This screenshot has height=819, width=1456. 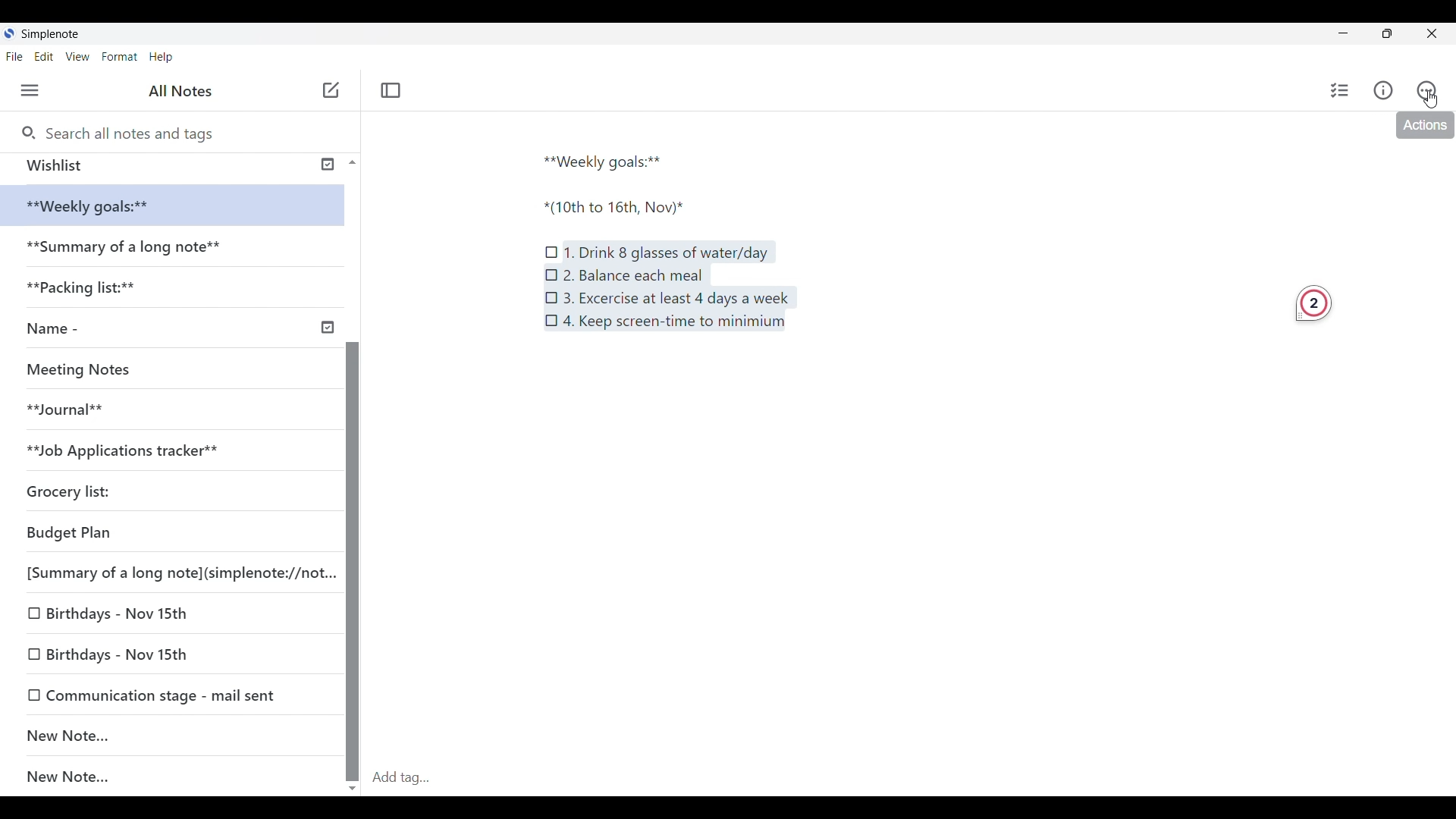 What do you see at coordinates (168, 165) in the screenshot?
I see `Wishlist` at bounding box center [168, 165].